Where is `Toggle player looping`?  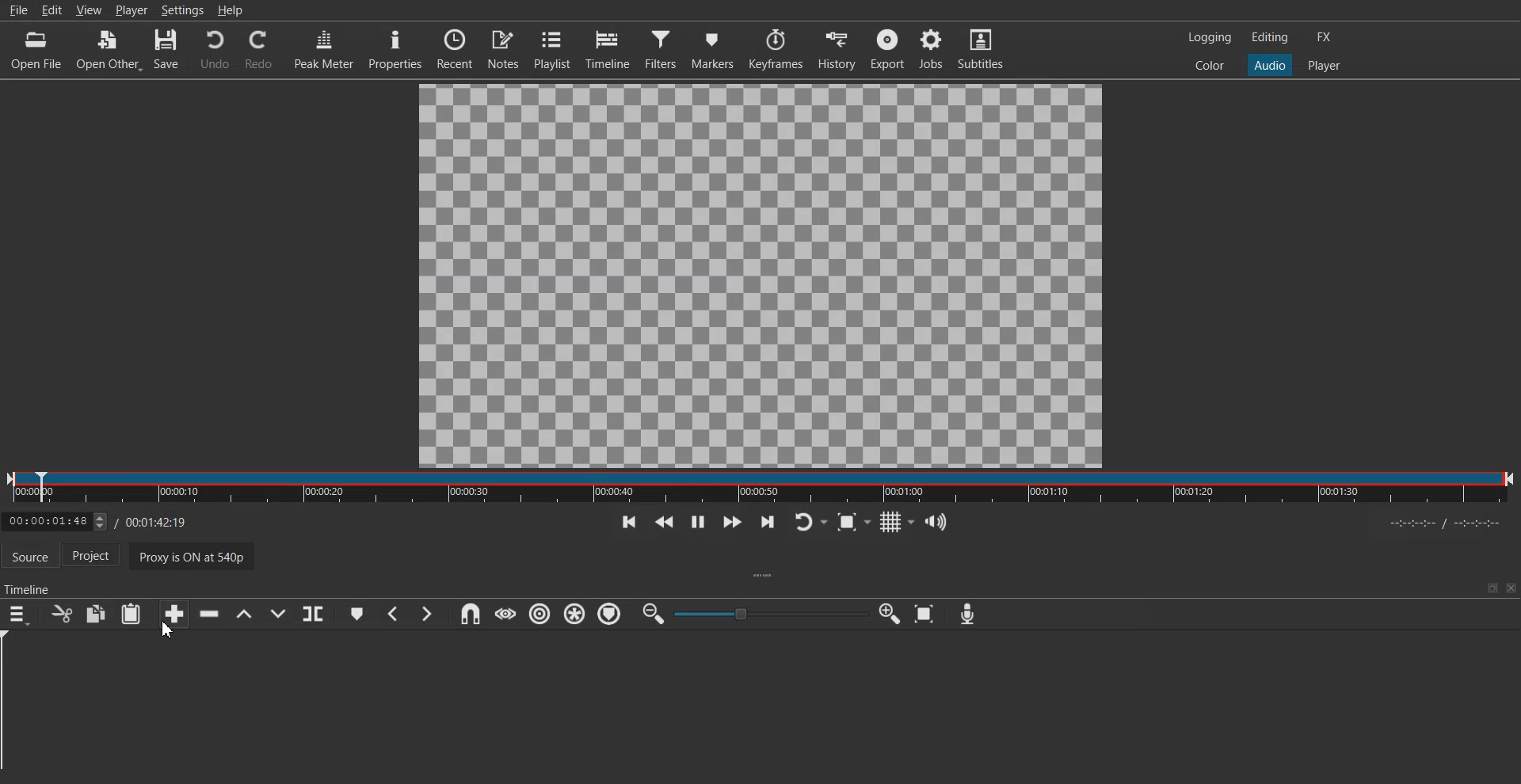 Toggle player looping is located at coordinates (810, 521).